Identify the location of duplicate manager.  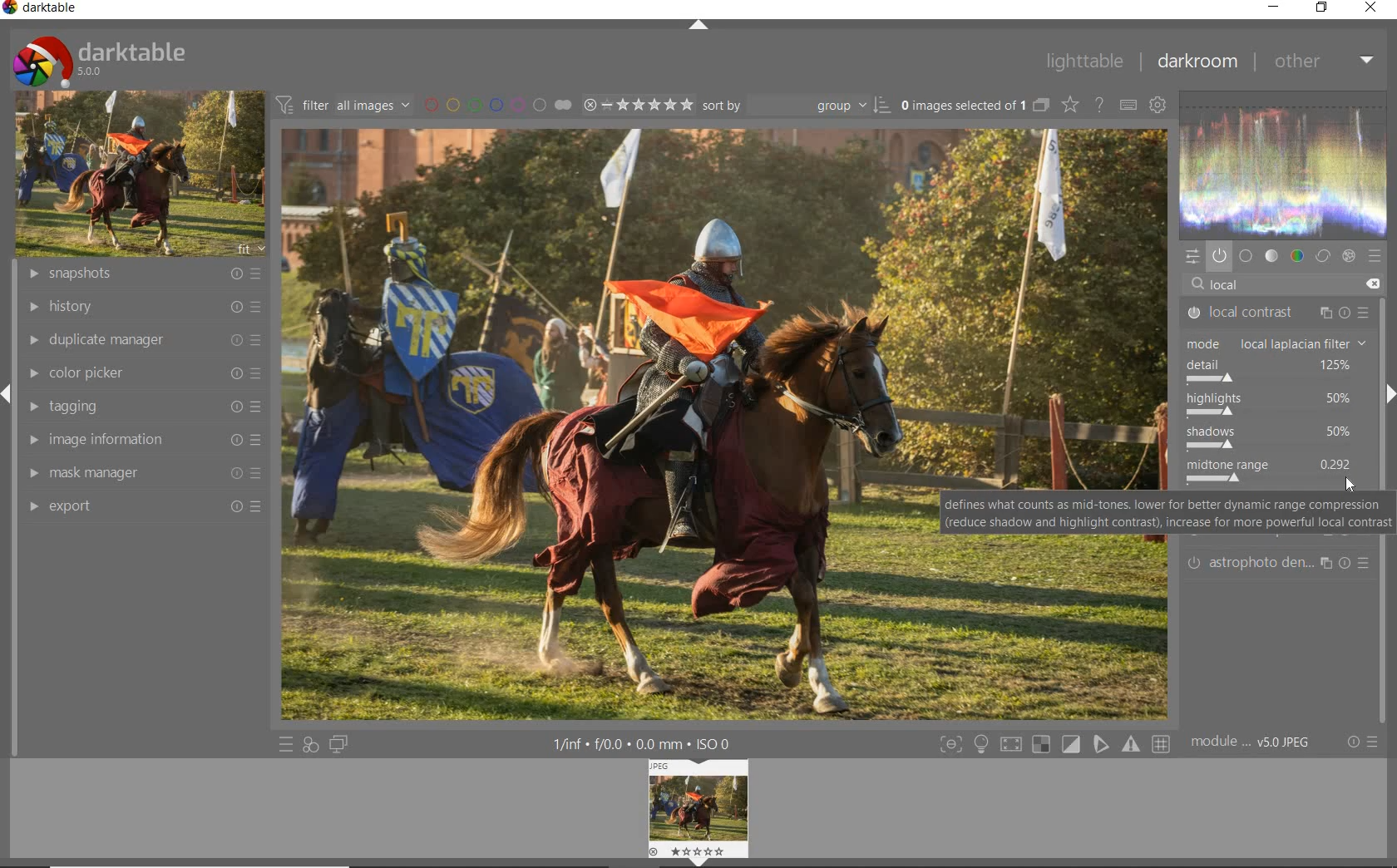
(140, 341).